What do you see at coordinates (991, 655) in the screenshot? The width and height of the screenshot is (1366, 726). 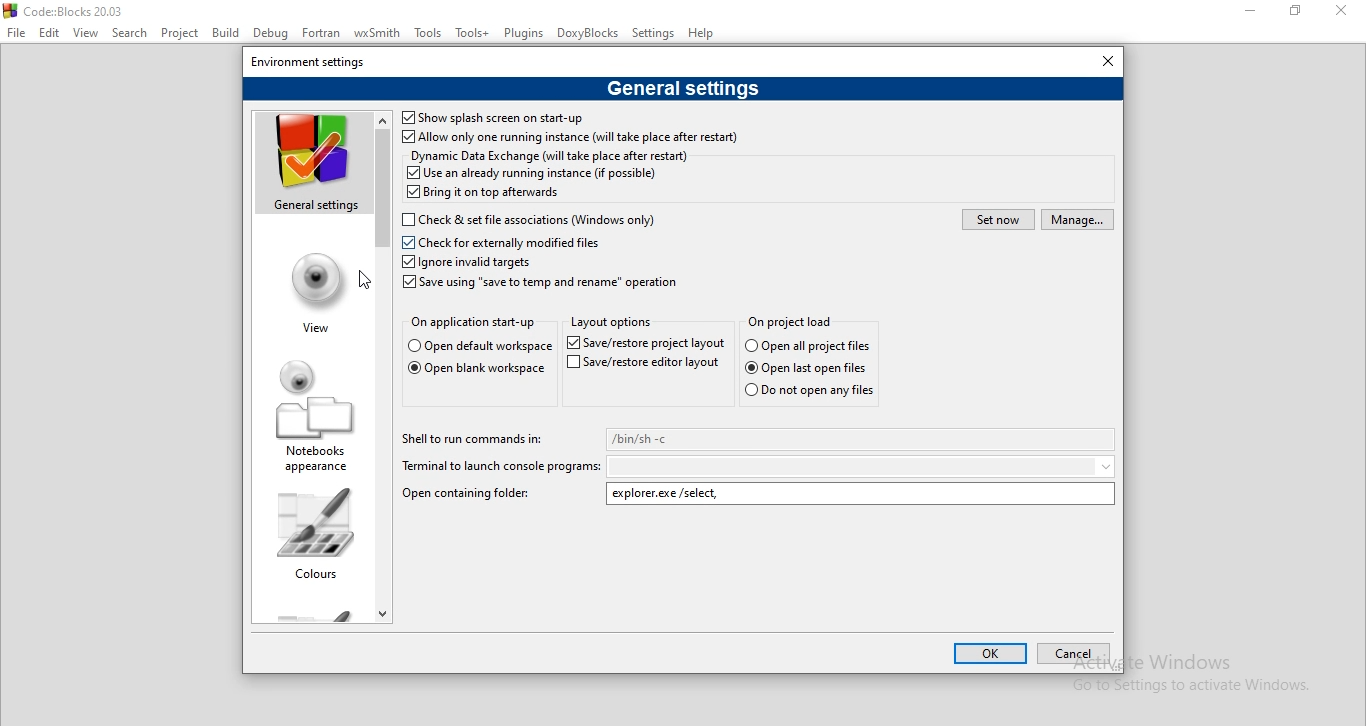 I see `ok` at bounding box center [991, 655].